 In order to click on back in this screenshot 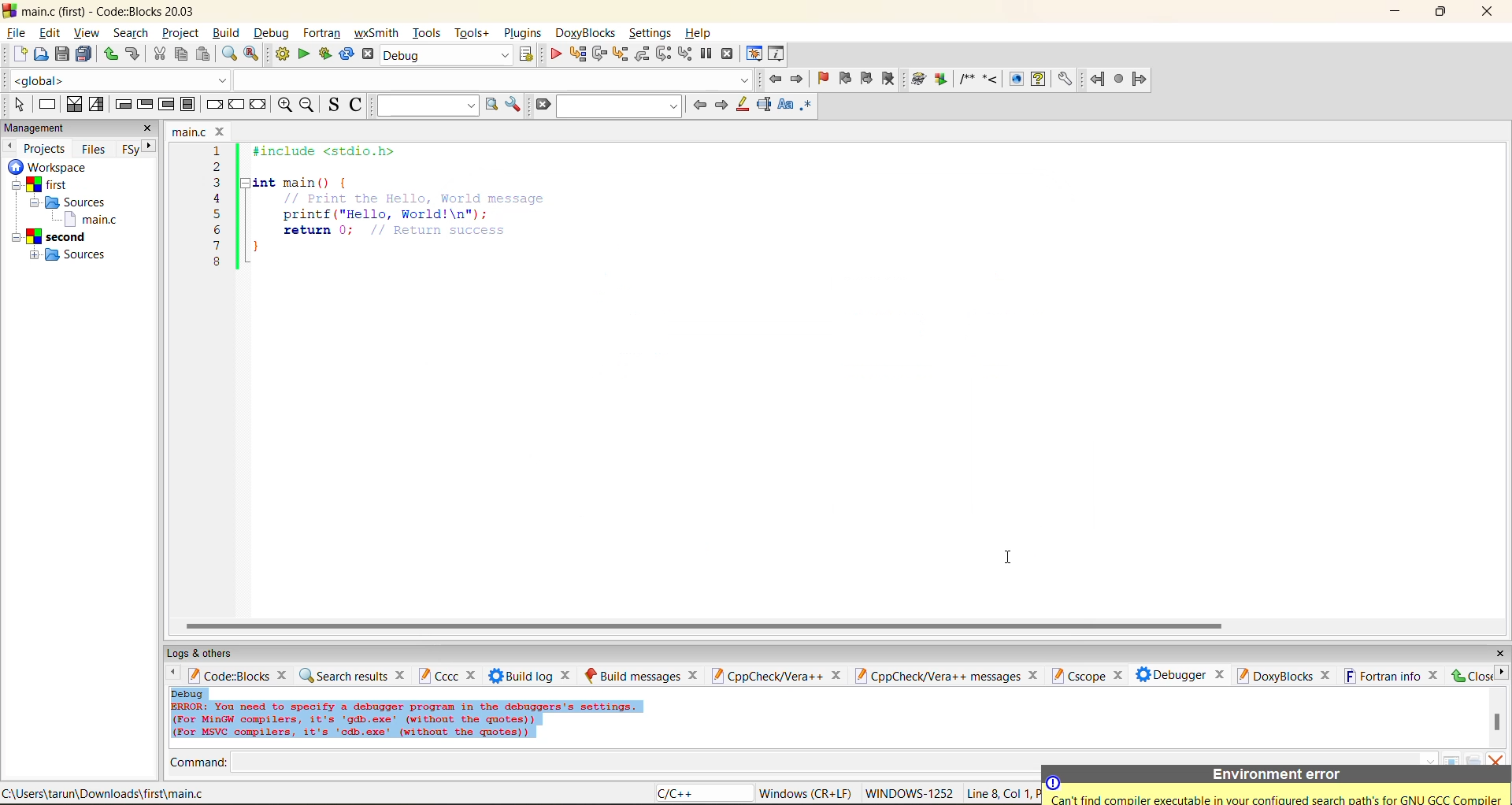, I will do `click(1099, 79)`.